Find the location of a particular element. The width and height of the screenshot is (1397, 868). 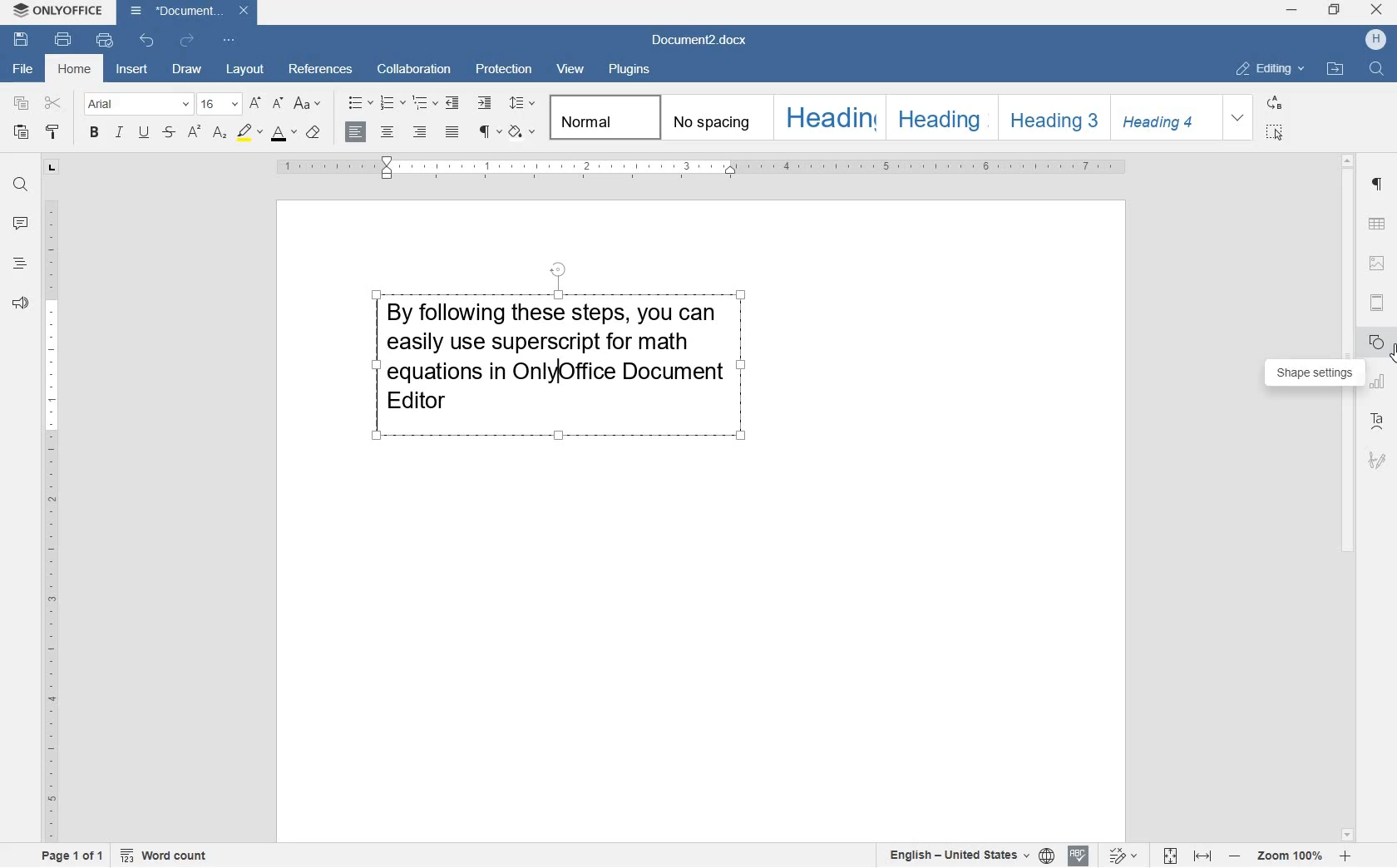

strikethrough is located at coordinates (169, 133).